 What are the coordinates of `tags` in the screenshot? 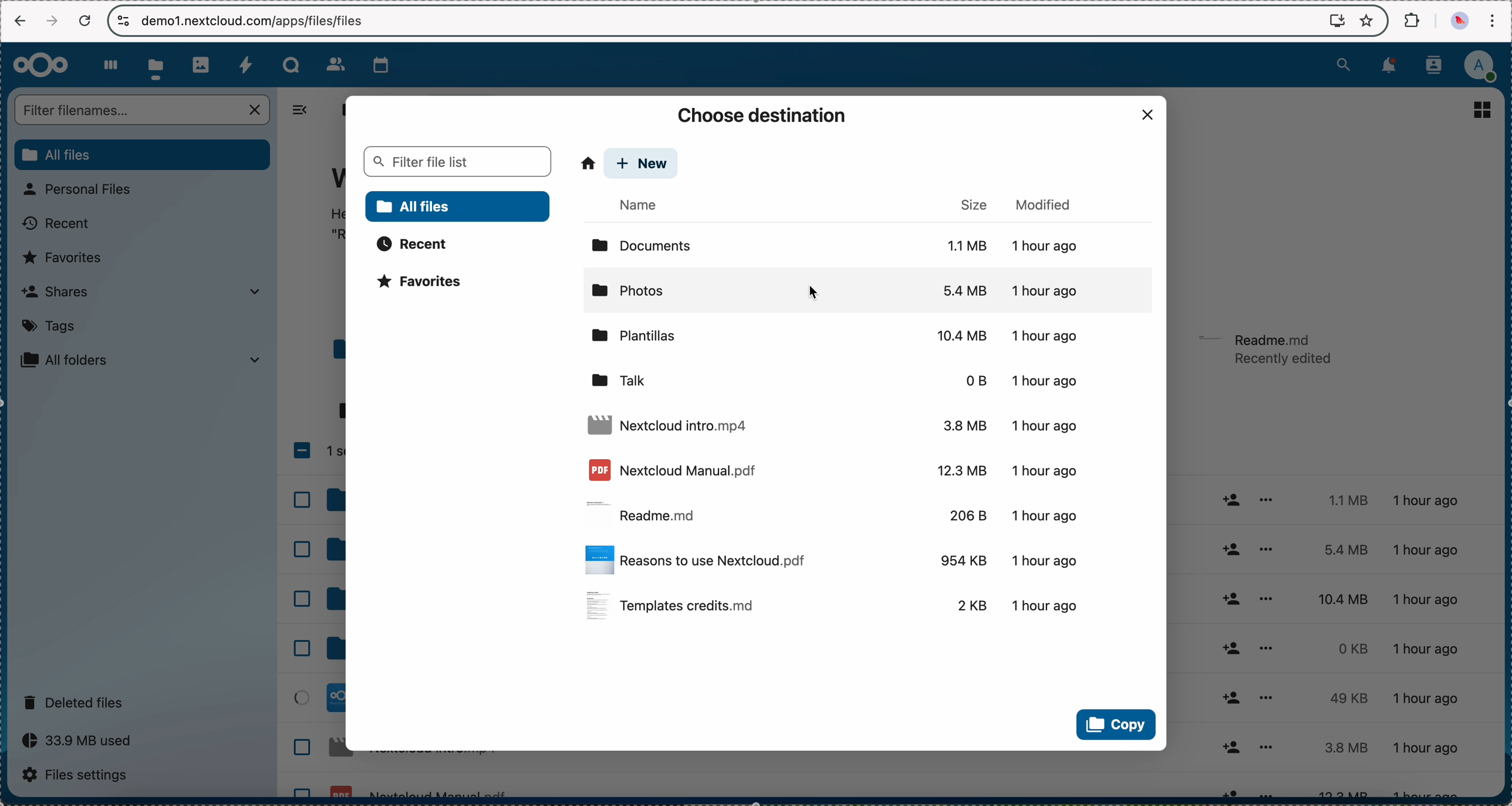 It's located at (48, 327).